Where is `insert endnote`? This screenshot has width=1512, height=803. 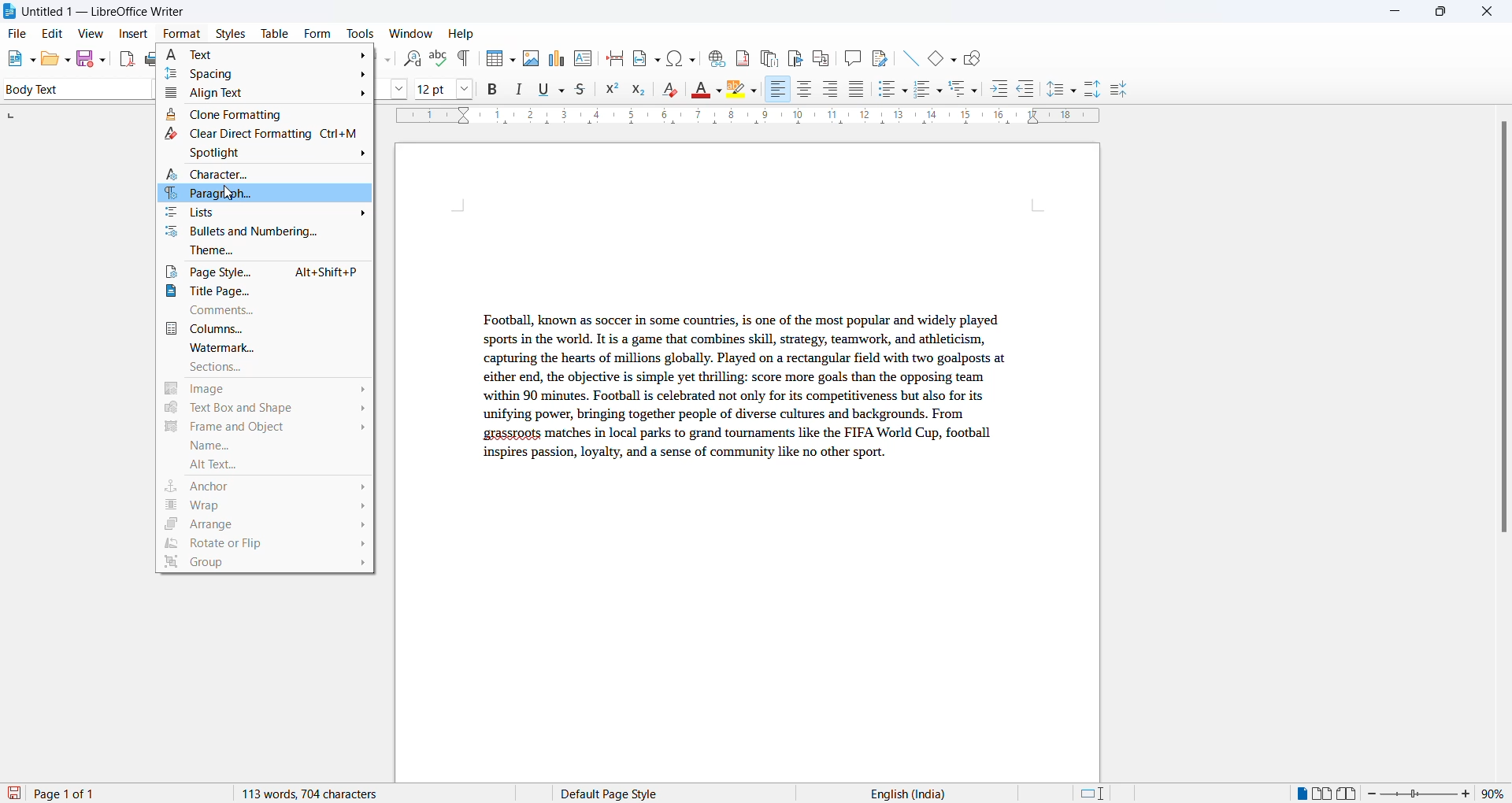 insert endnote is located at coordinates (766, 56).